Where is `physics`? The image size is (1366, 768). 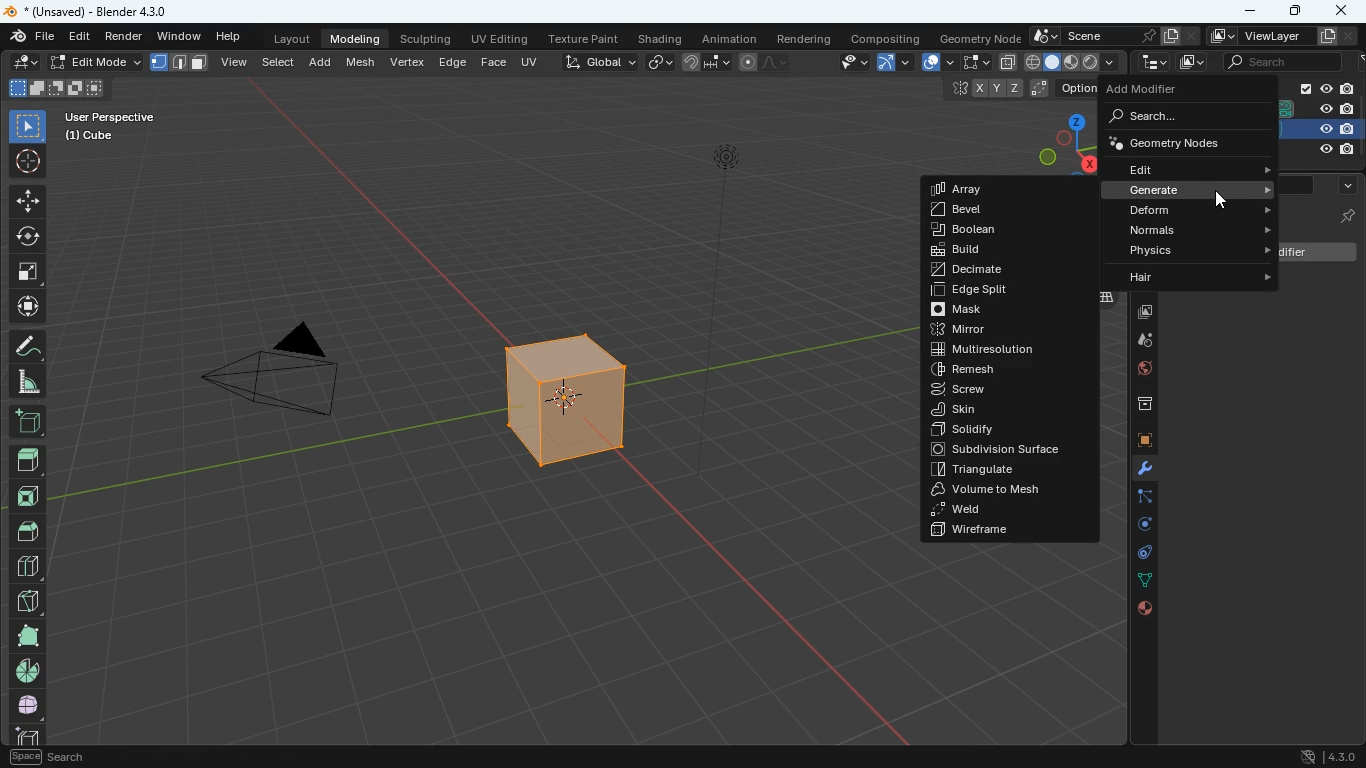
physics is located at coordinates (1181, 251).